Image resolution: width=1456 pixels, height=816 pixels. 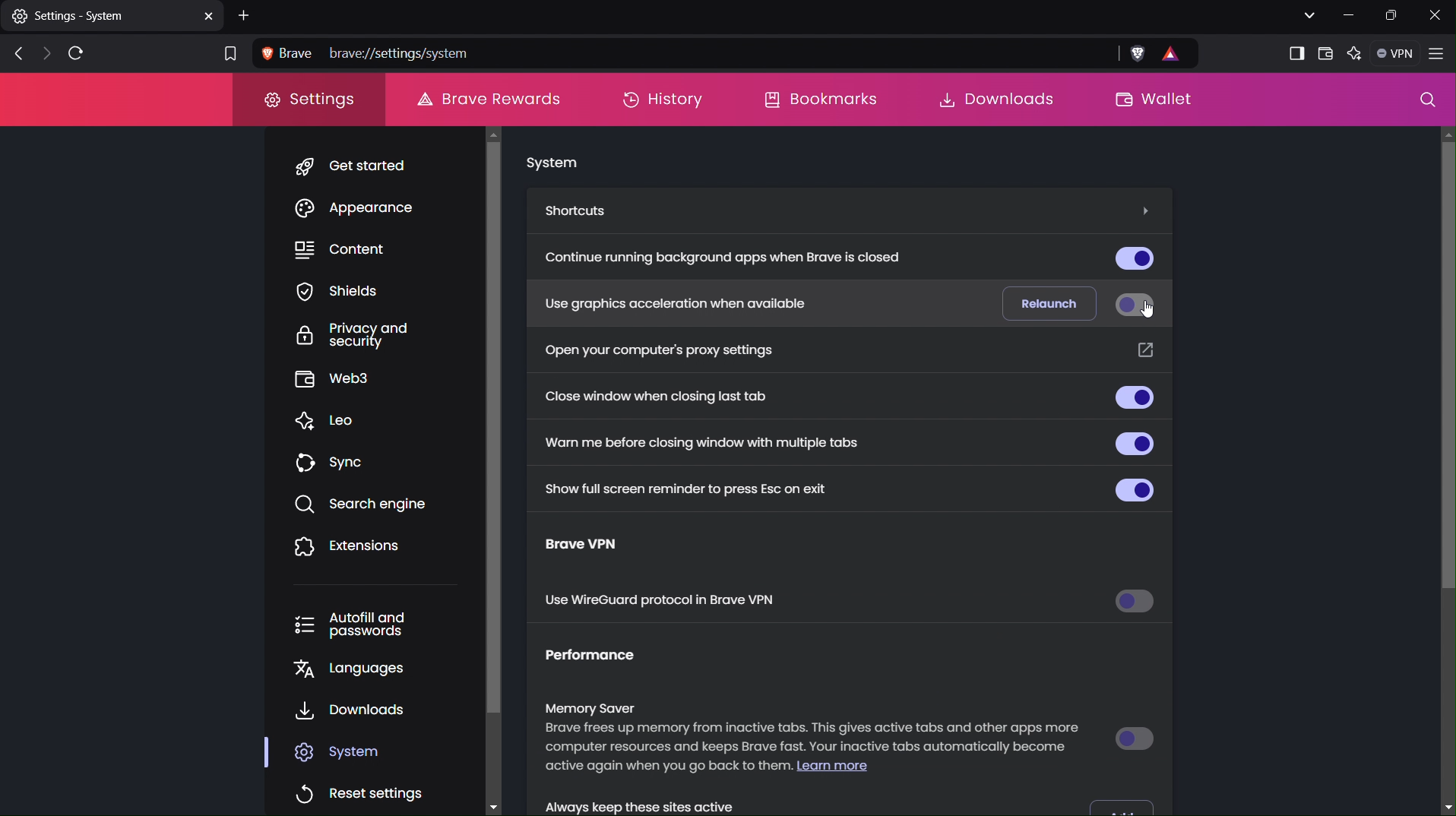 I want to click on Open your computer's proxy settings, so click(x=660, y=349).